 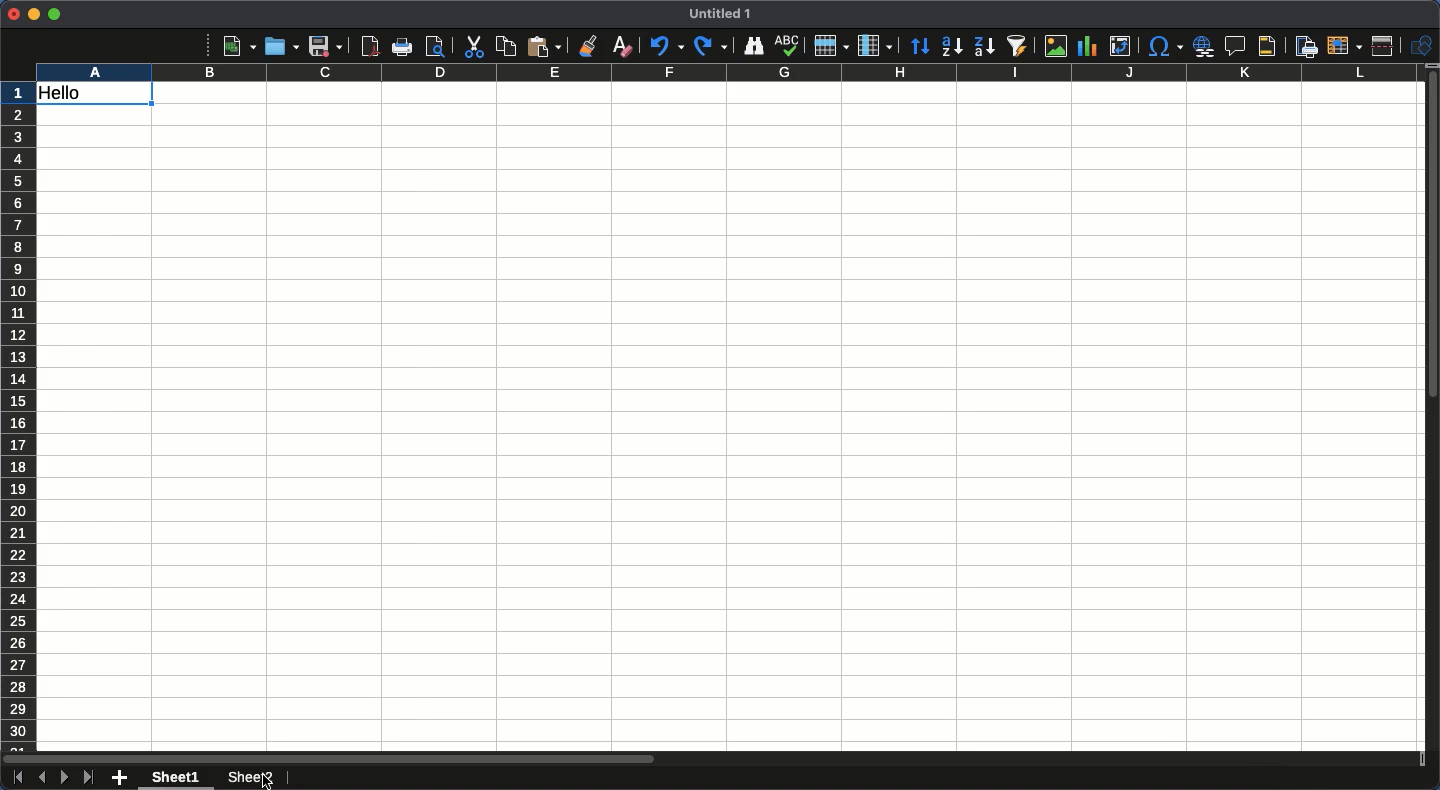 I want to click on Minimize, so click(x=34, y=15).